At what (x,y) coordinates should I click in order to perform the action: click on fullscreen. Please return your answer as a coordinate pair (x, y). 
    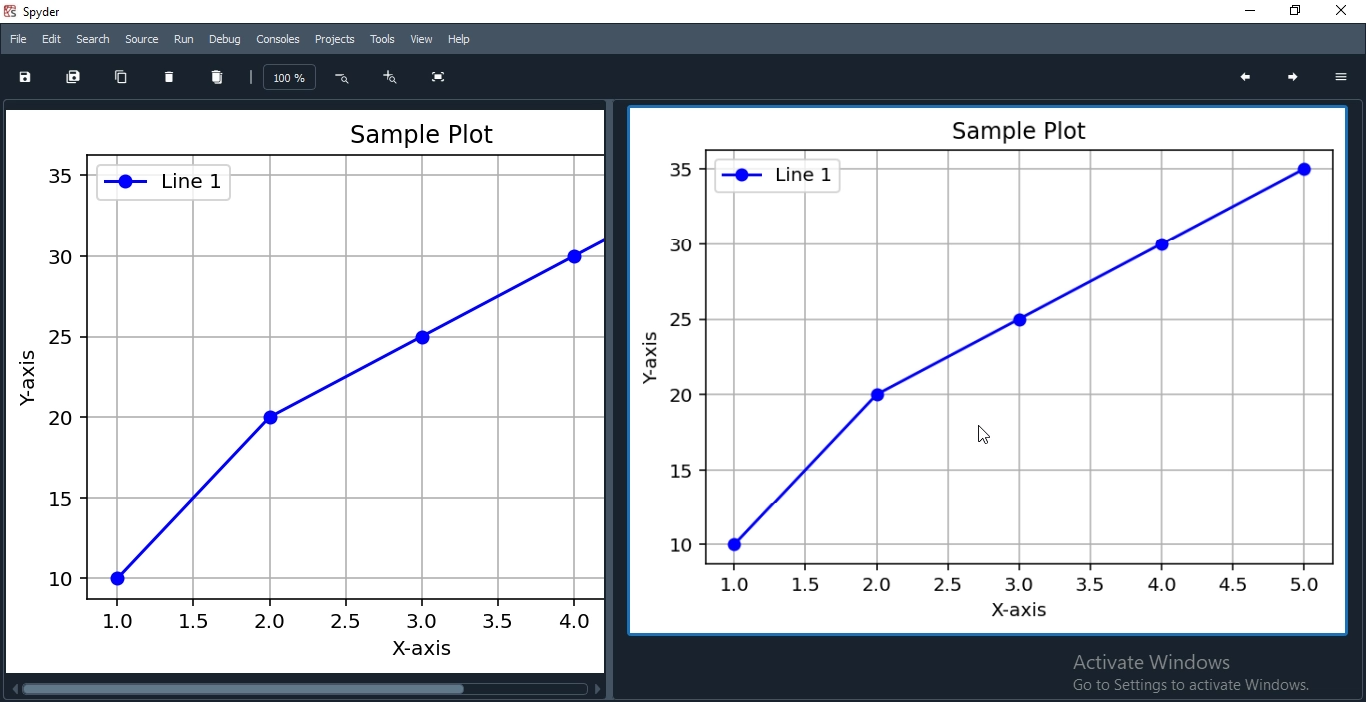
    Looking at the image, I should click on (435, 78).